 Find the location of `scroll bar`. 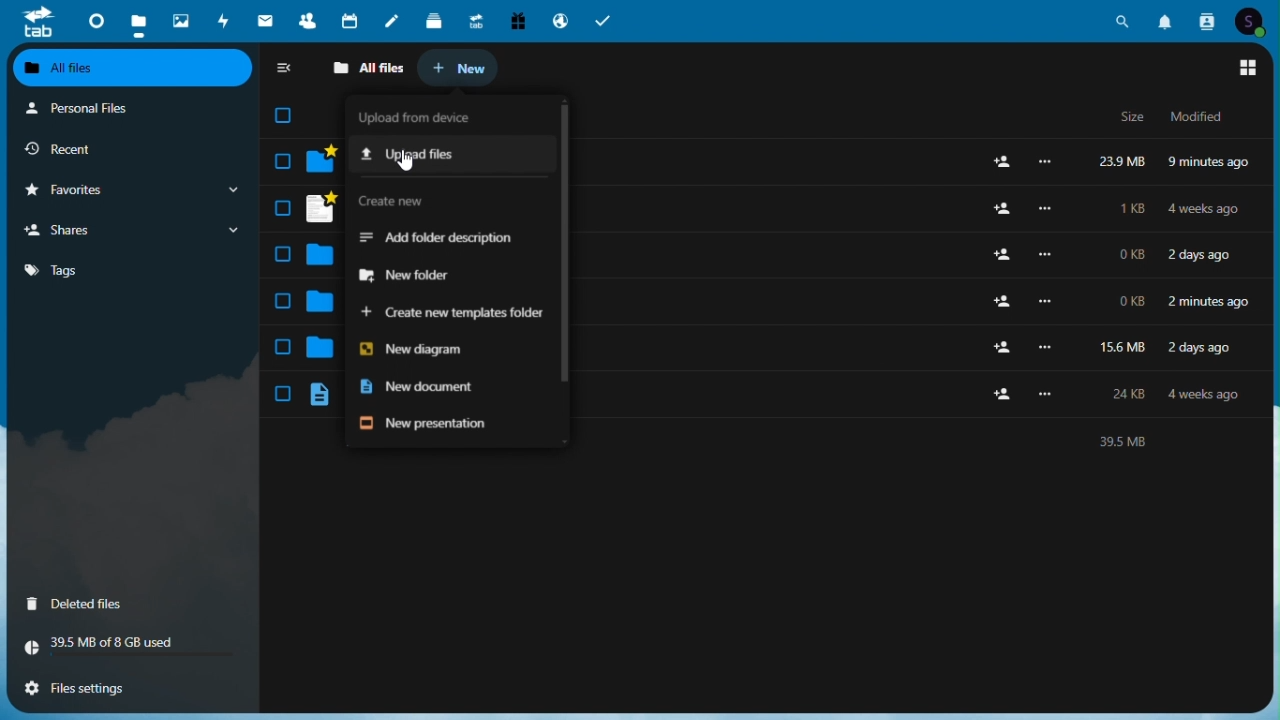

scroll bar is located at coordinates (565, 242).